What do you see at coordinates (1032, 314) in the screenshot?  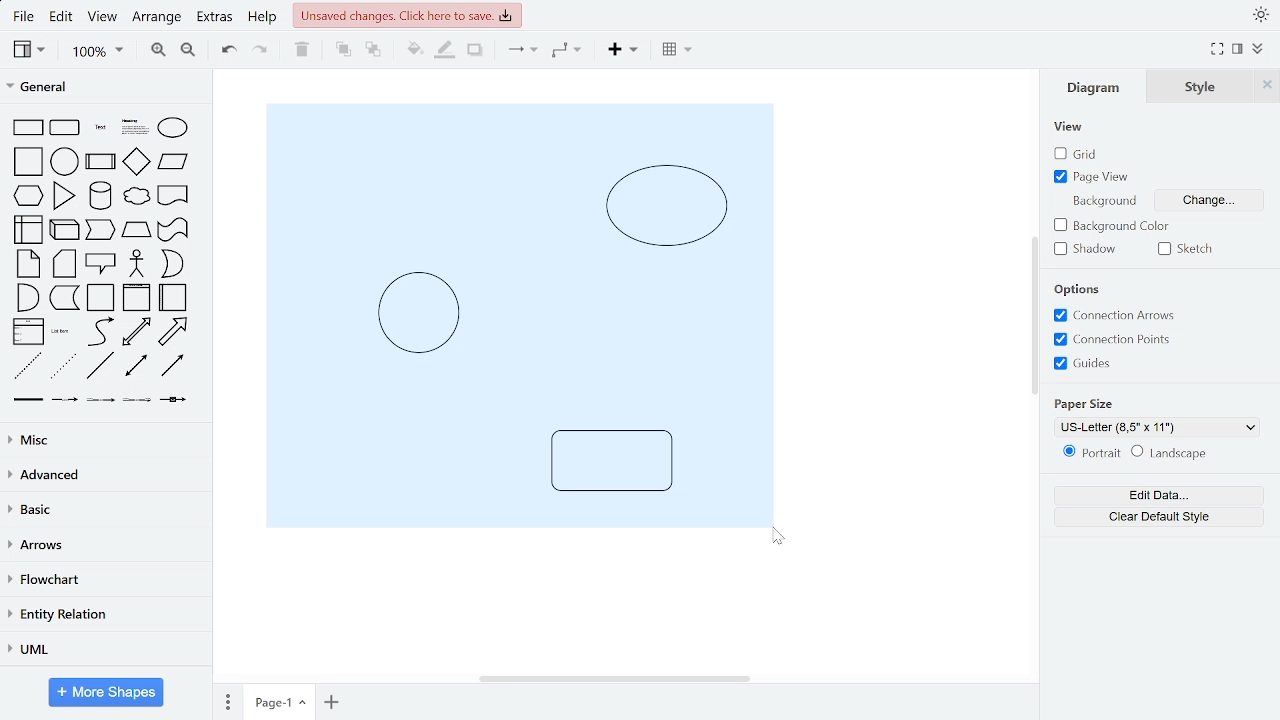 I see `vertical scrollbar` at bounding box center [1032, 314].